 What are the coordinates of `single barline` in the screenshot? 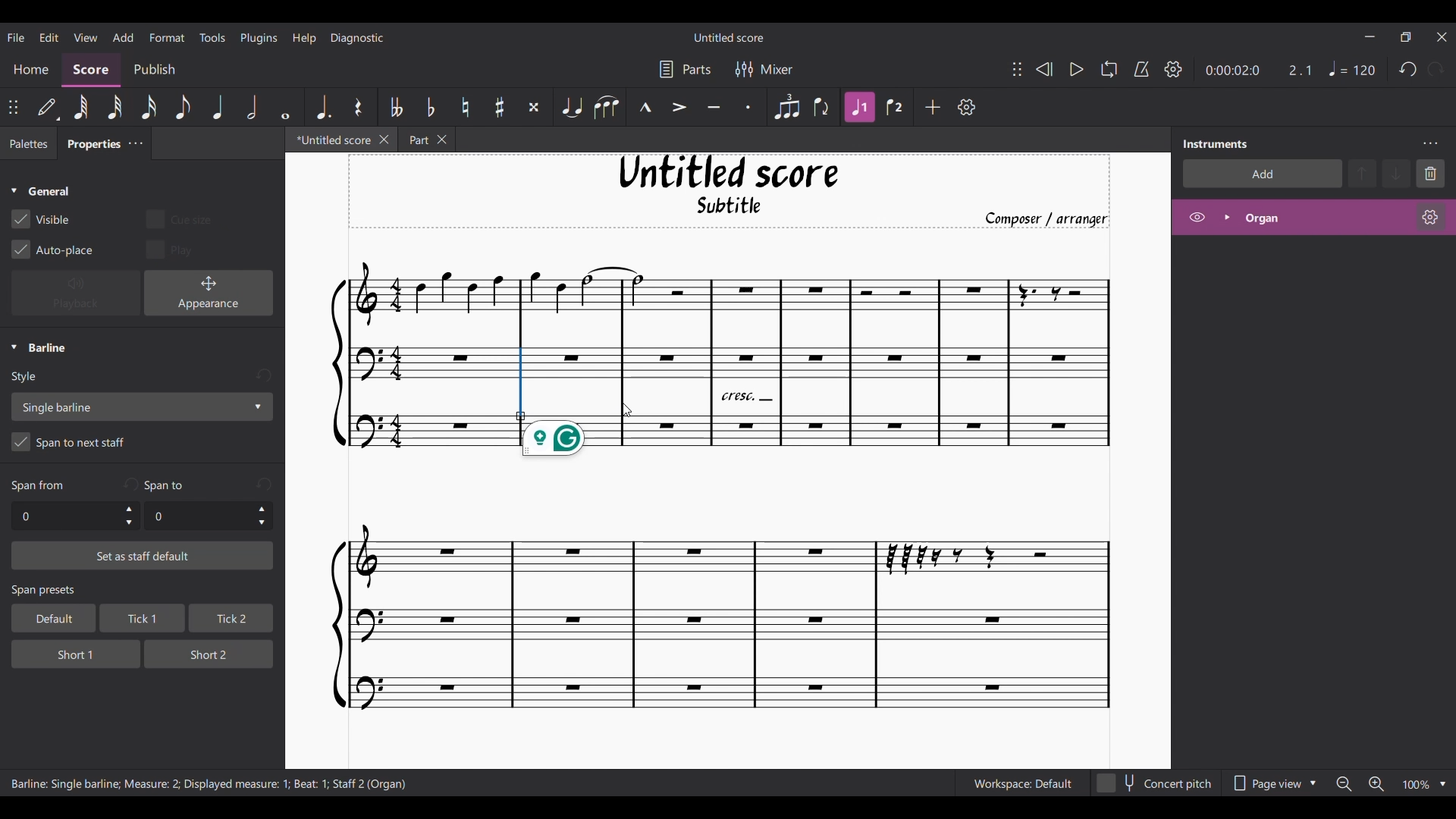 It's located at (141, 406).